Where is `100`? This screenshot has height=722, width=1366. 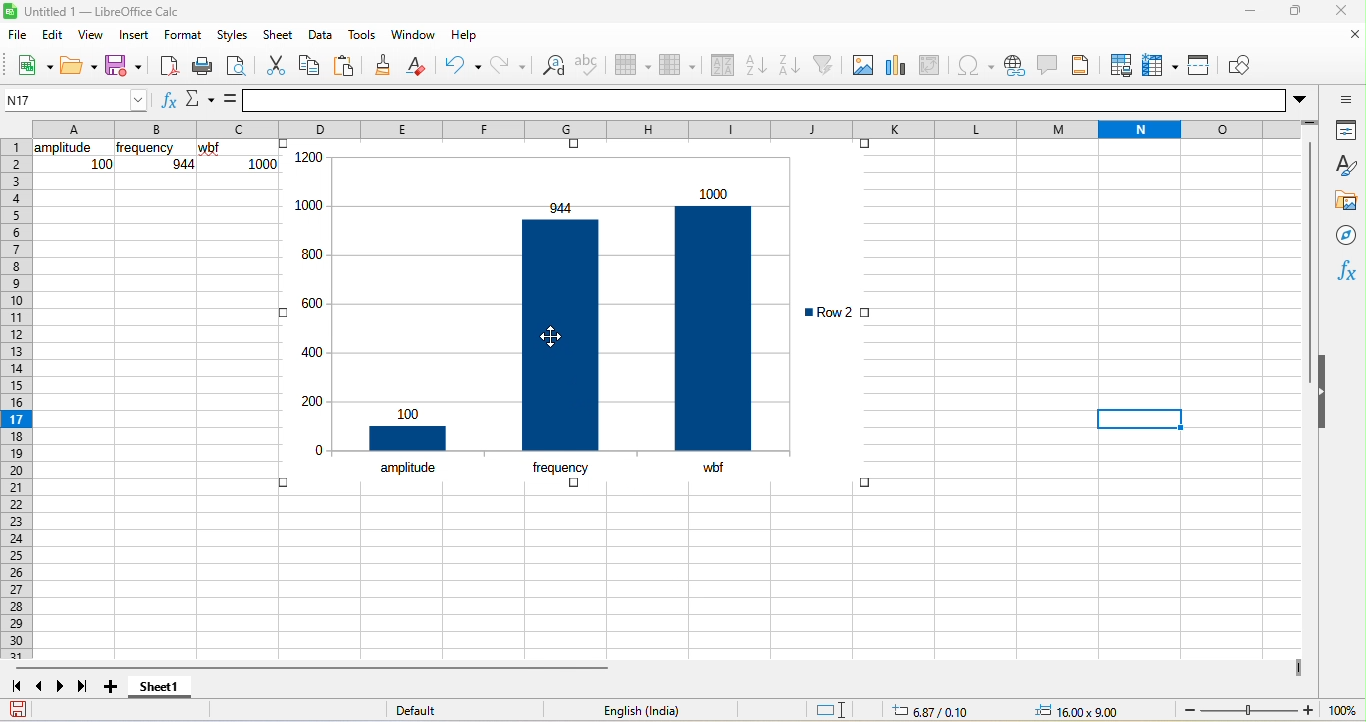 100 is located at coordinates (102, 164).